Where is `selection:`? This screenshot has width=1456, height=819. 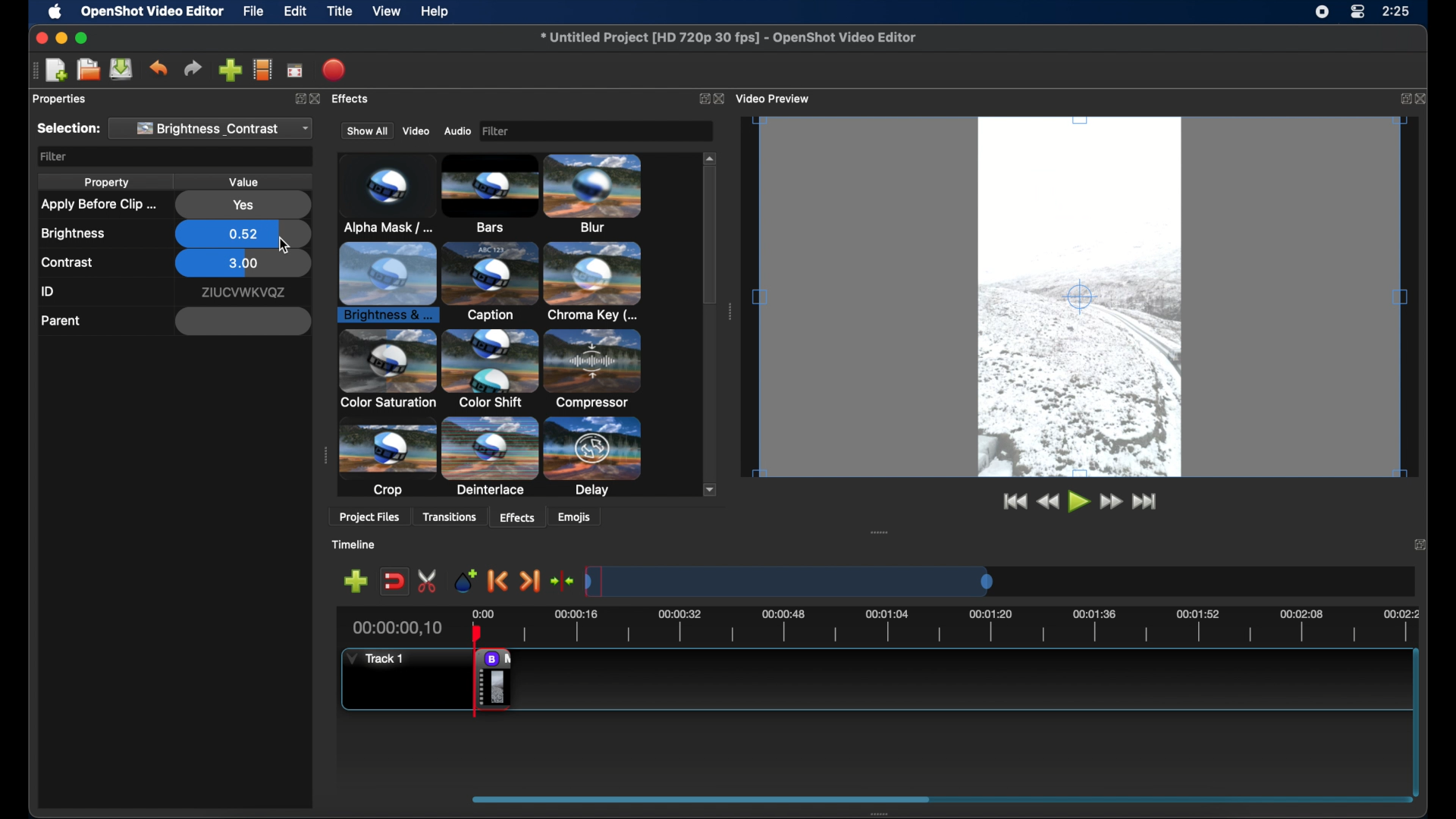
selection: is located at coordinates (67, 129).